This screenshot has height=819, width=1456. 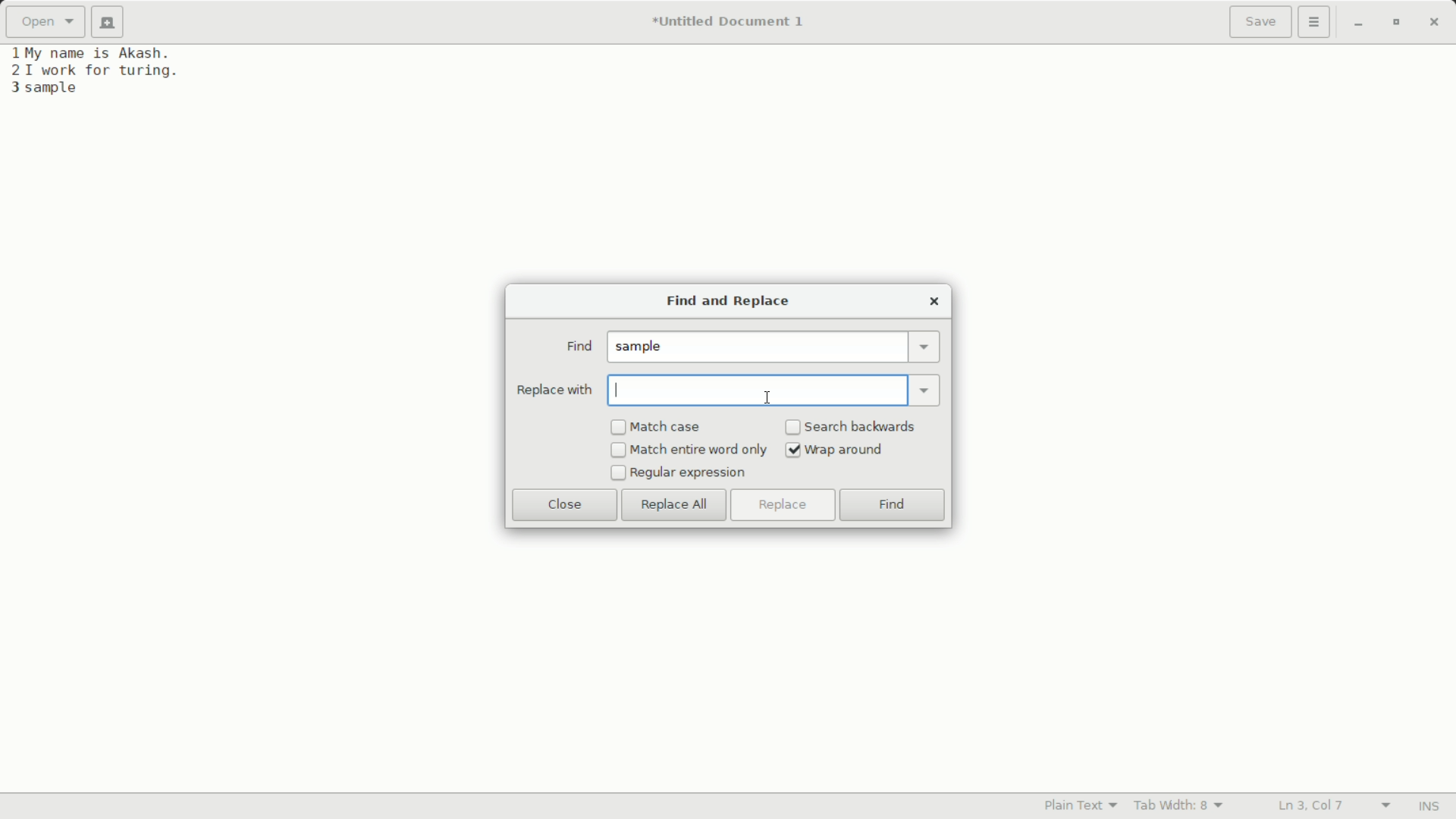 What do you see at coordinates (112, 22) in the screenshot?
I see `new document` at bounding box center [112, 22].